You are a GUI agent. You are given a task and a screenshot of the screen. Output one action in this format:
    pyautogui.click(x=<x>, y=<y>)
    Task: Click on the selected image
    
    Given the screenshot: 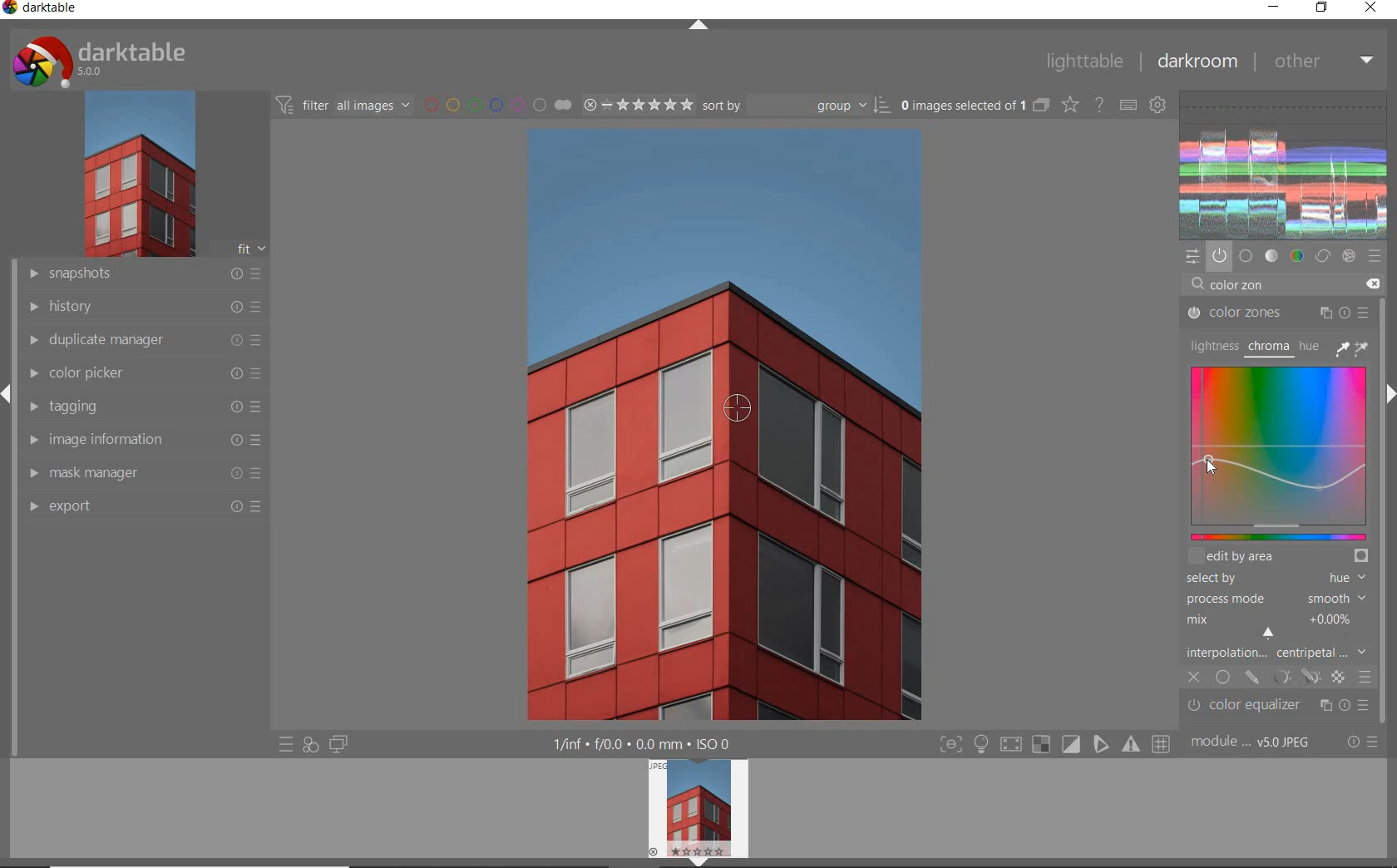 What is the action you would take?
    pyautogui.click(x=710, y=585)
    